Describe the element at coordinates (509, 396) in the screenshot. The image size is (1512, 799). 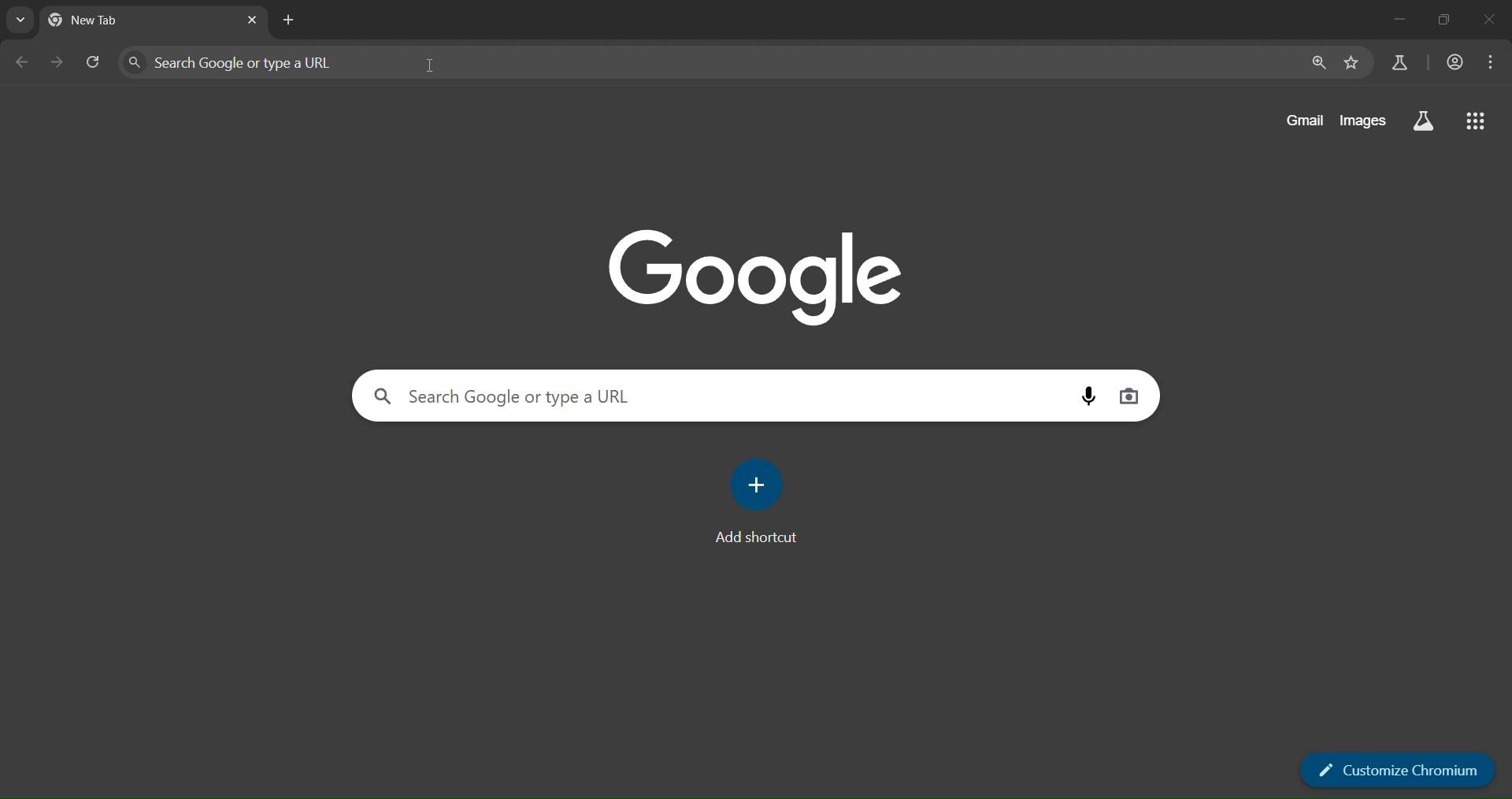
I see `Search Google or type a URL` at that location.